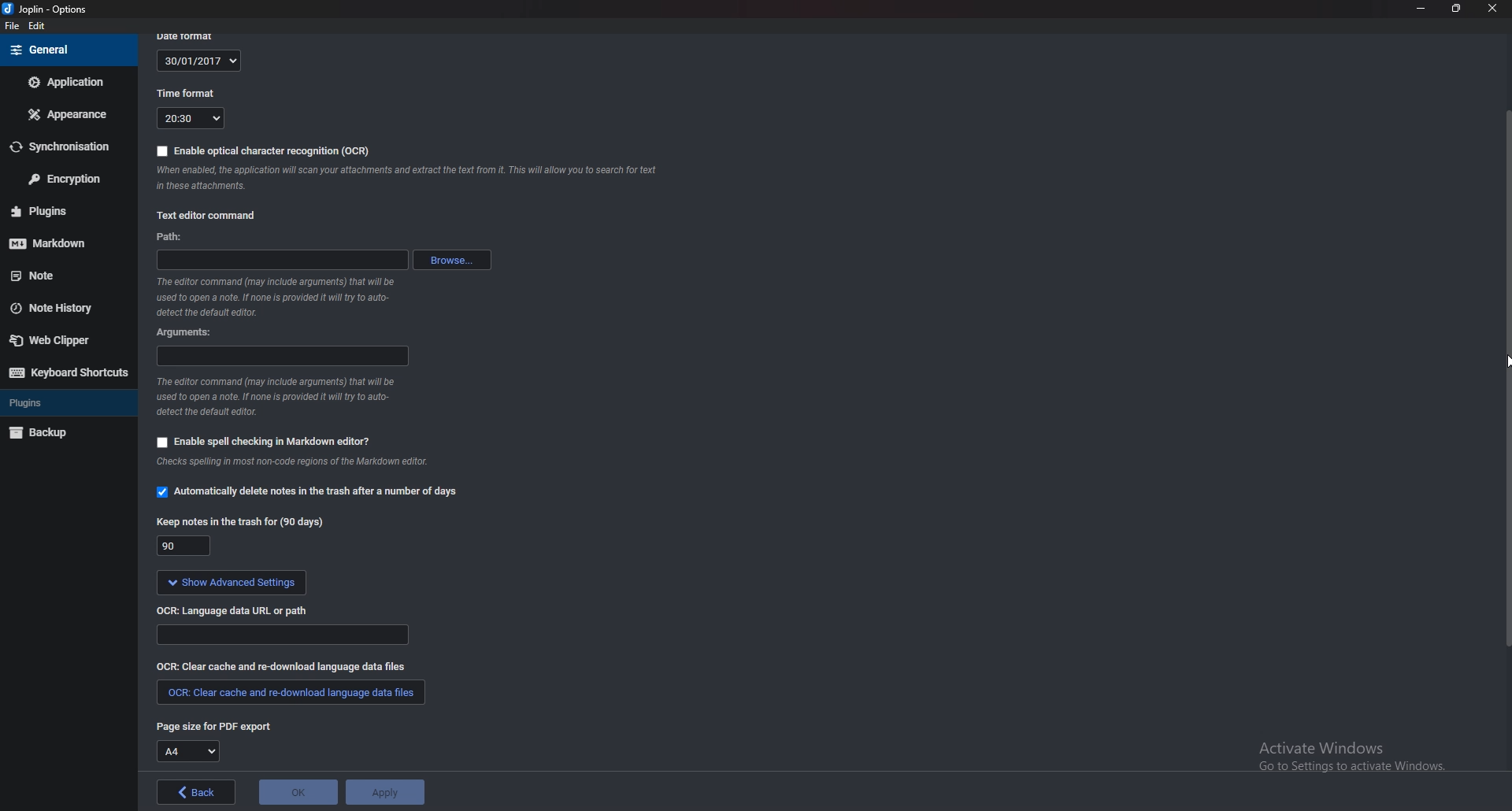 The height and width of the screenshot is (811, 1512). I want to click on enable OCR, so click(266, 151).